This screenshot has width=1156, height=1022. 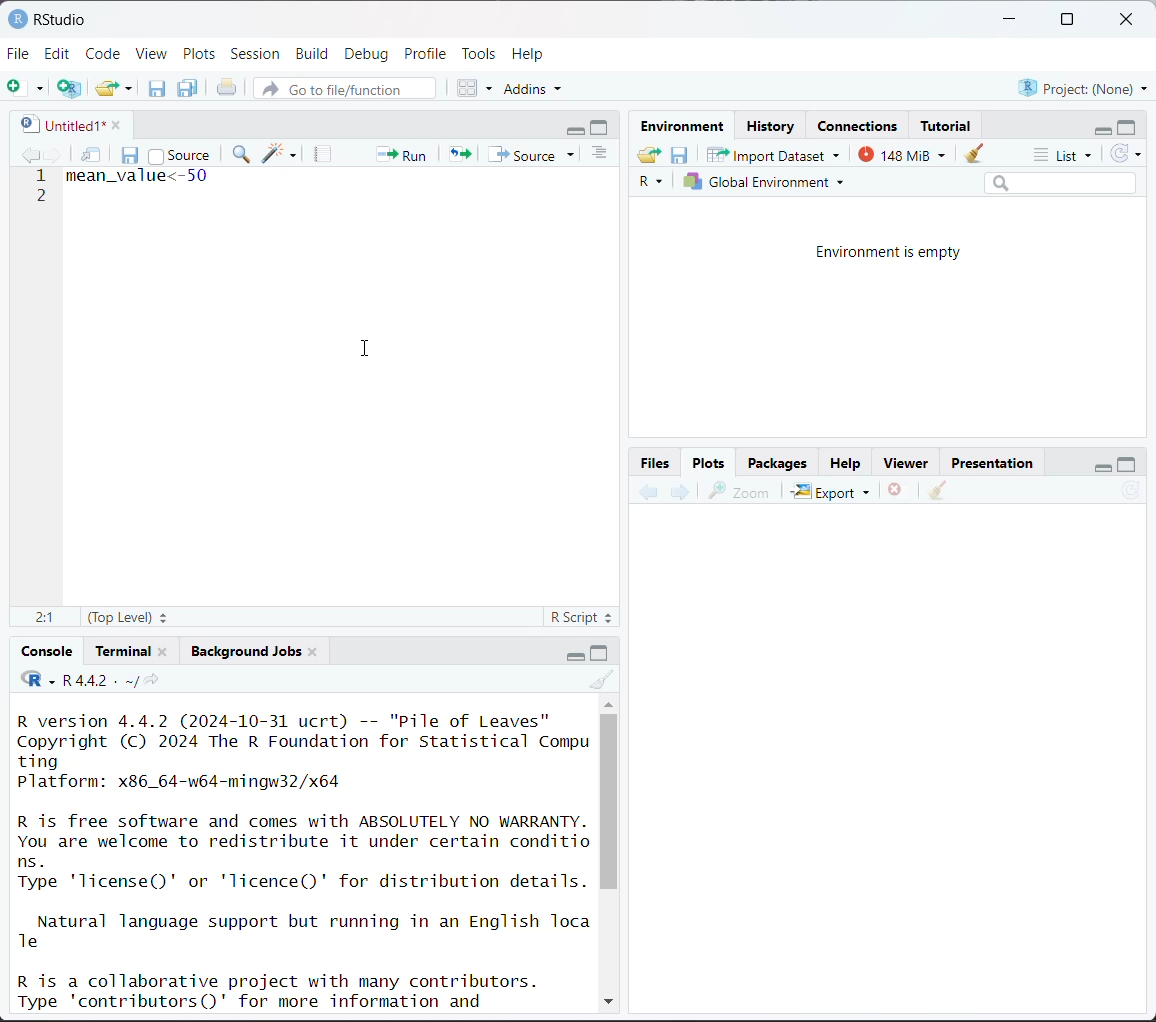 What do you see at coordinates (1060, 182) in the screenshot?
I see `search` at bounding box center [1060, 182].